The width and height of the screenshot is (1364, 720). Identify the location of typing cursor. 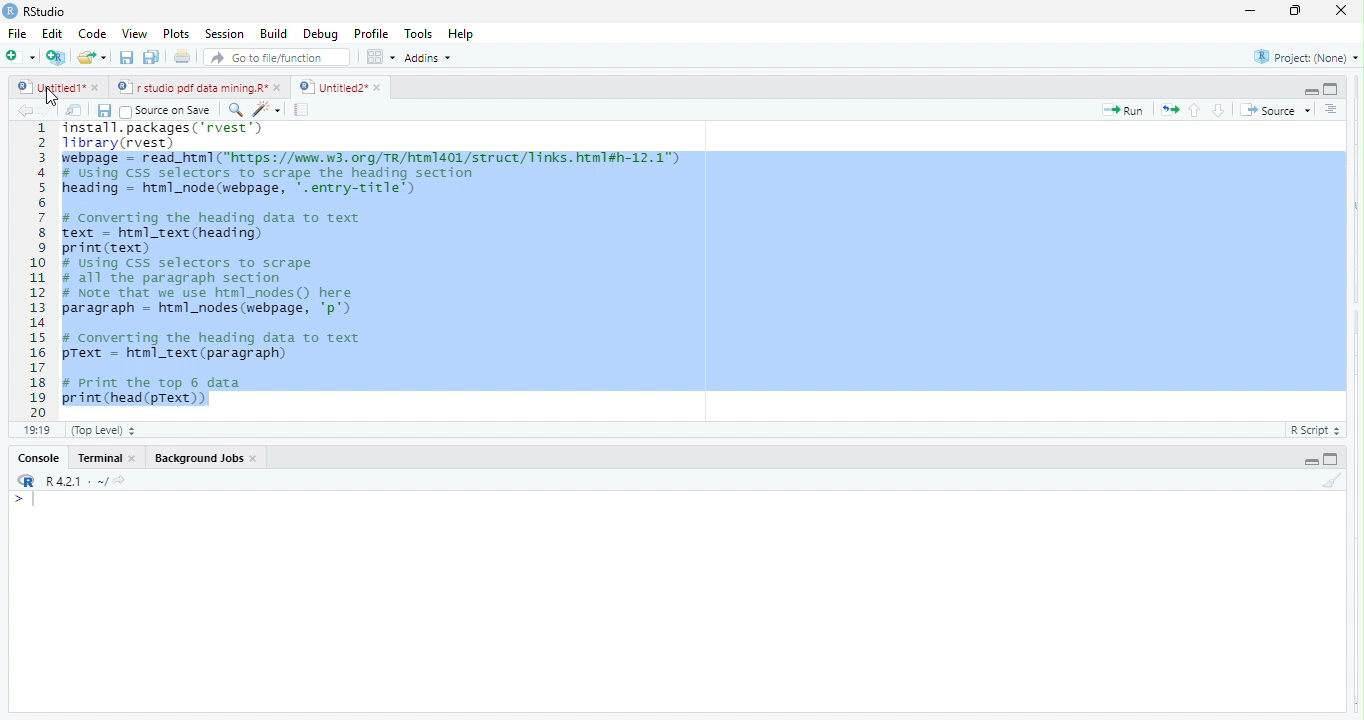
(29, 501).